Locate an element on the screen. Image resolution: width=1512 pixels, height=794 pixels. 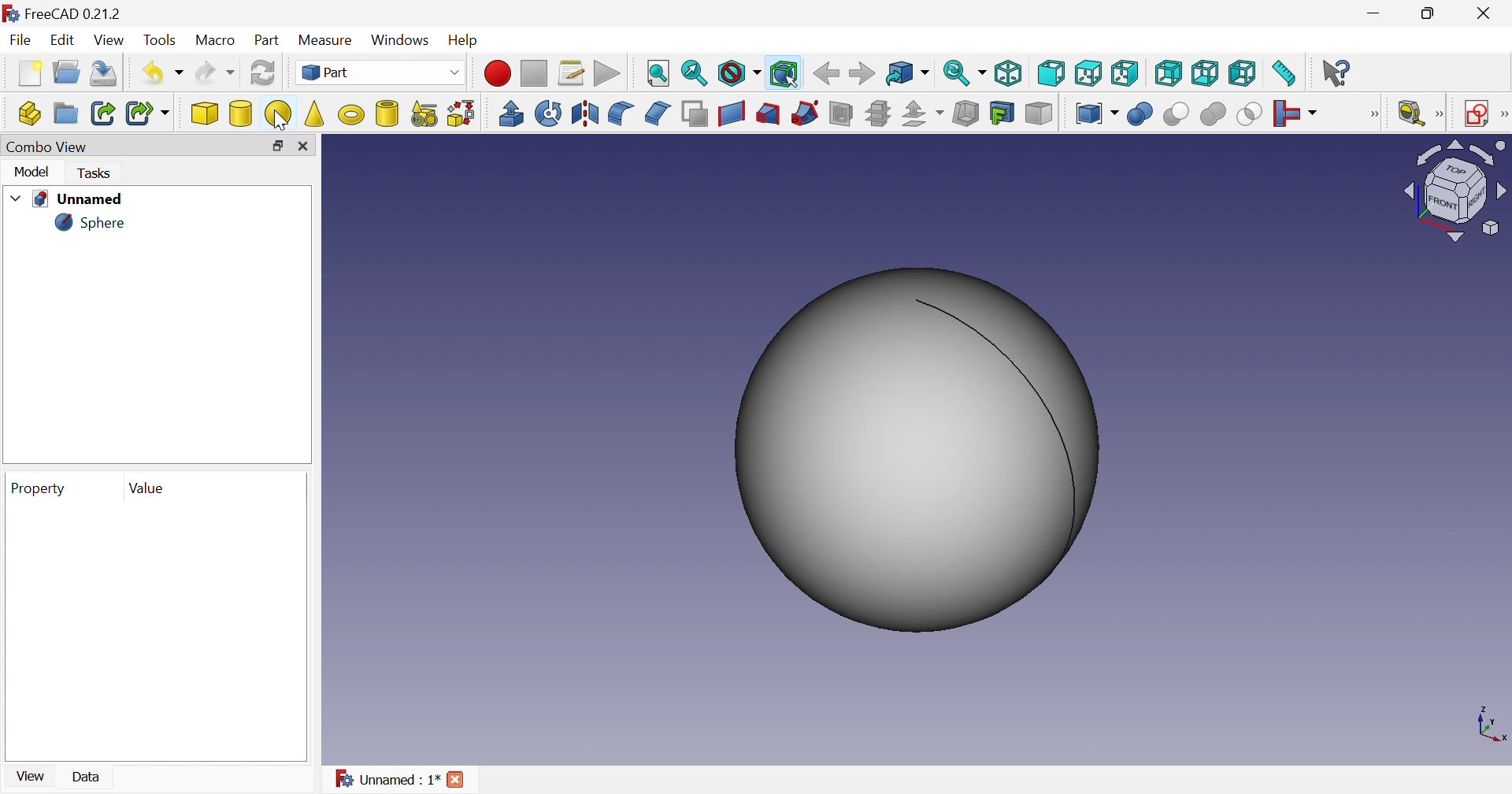
Union is located at coordinates (1214, 114).